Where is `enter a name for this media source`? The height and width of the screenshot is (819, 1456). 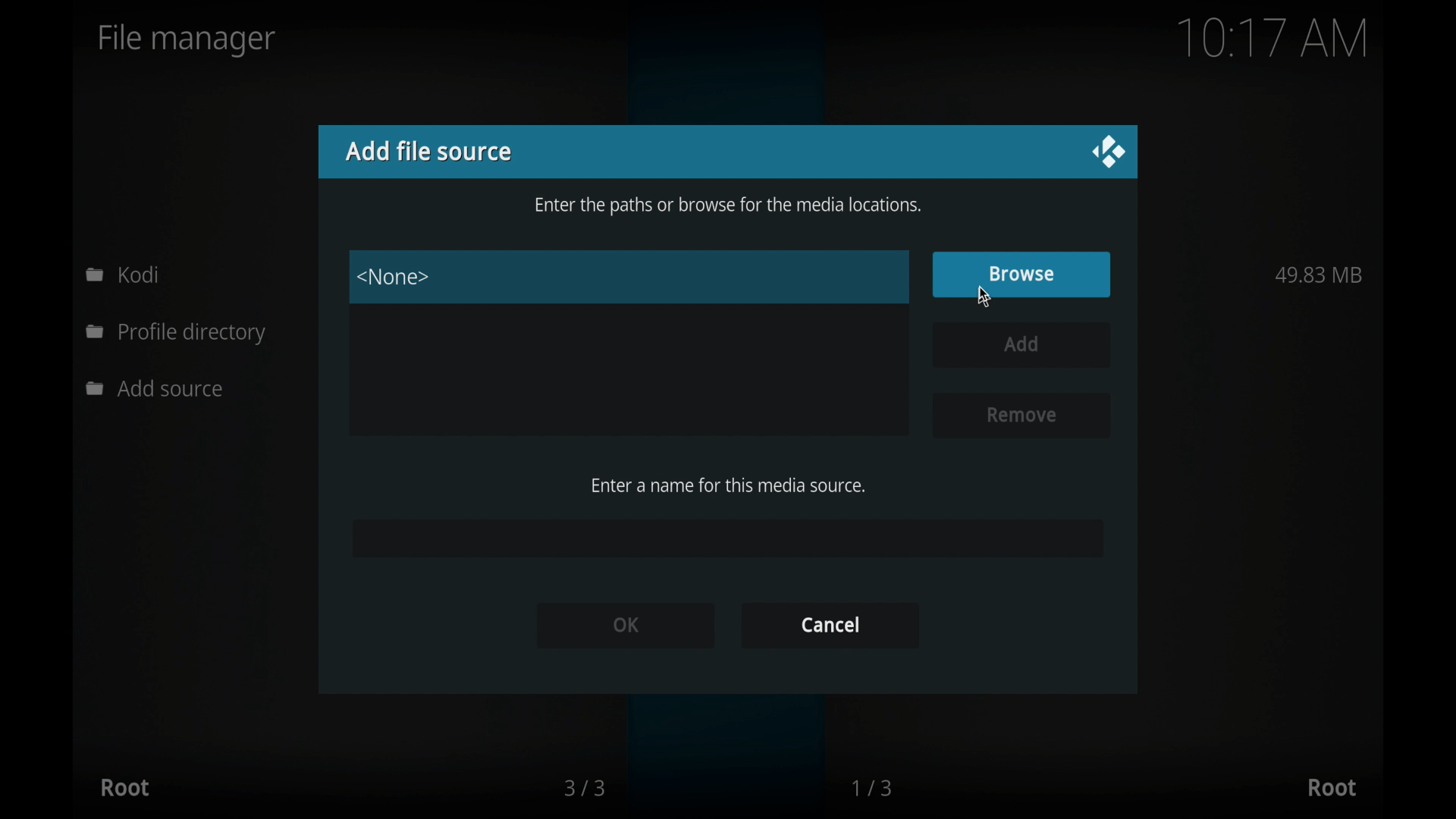 enter a name for this media source is located at coordinates (728, 485).